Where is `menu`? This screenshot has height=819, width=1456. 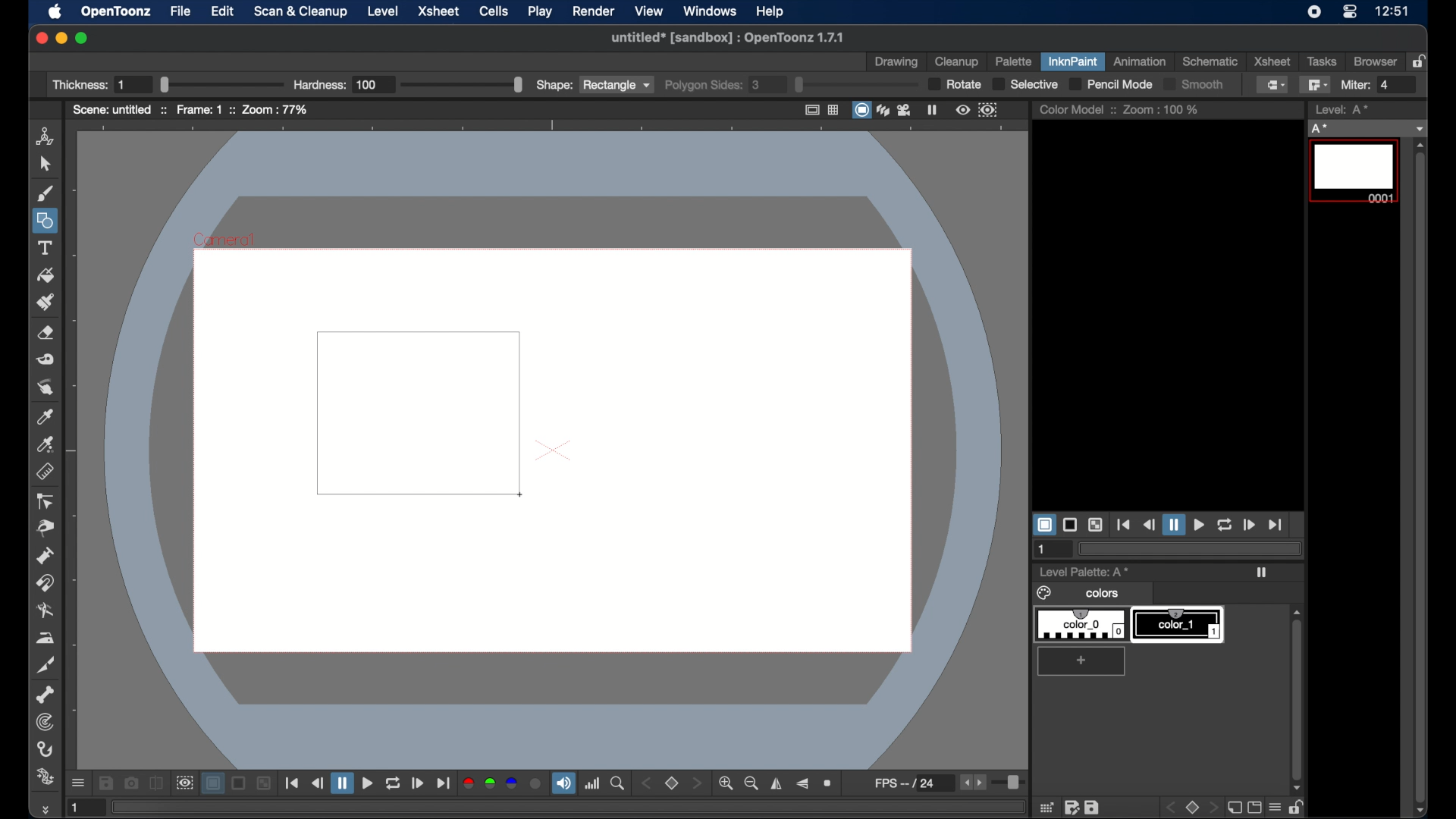 menu is located at coordinates (1274, 807).